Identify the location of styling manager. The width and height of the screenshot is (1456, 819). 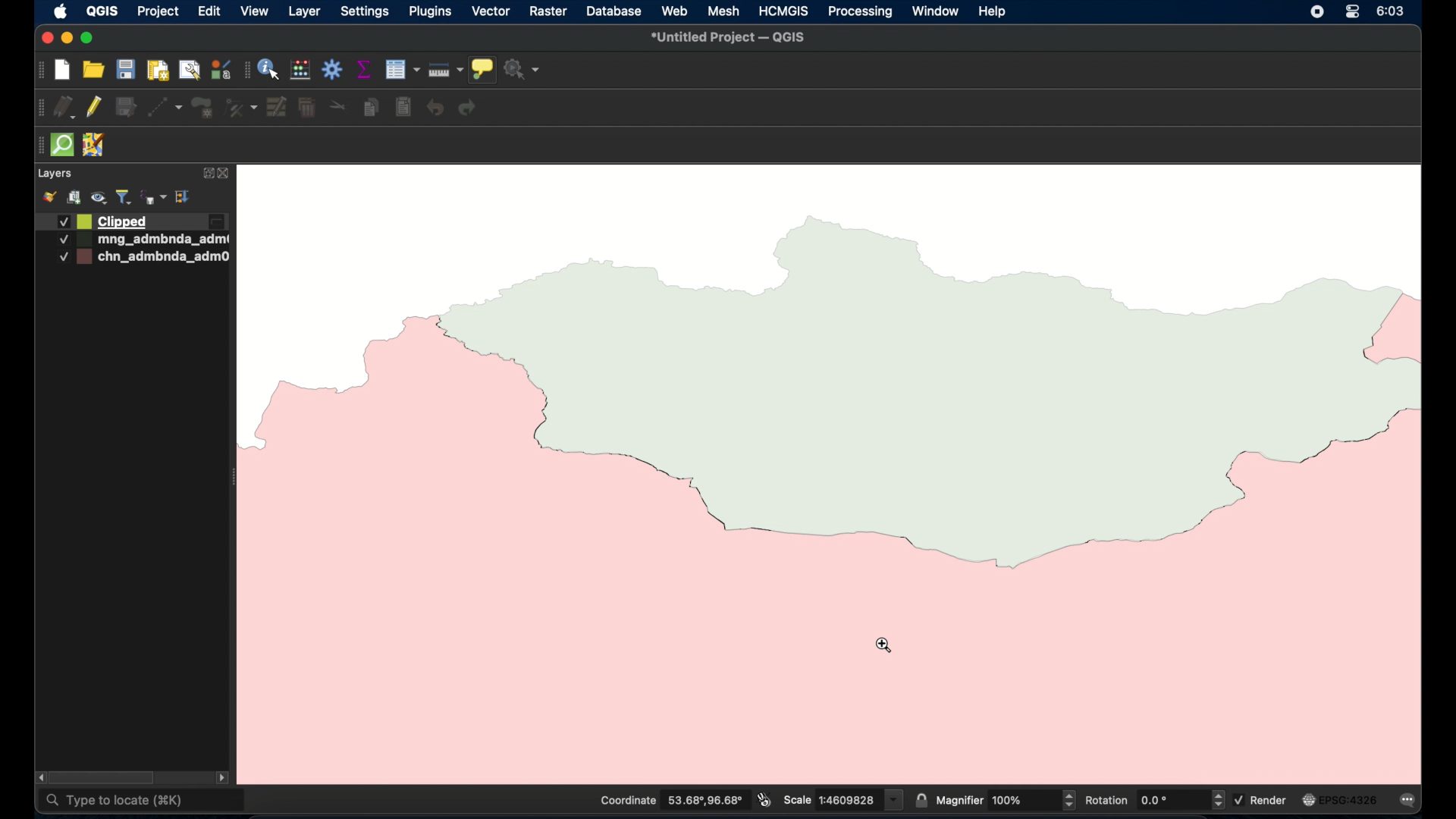
(220, 69).